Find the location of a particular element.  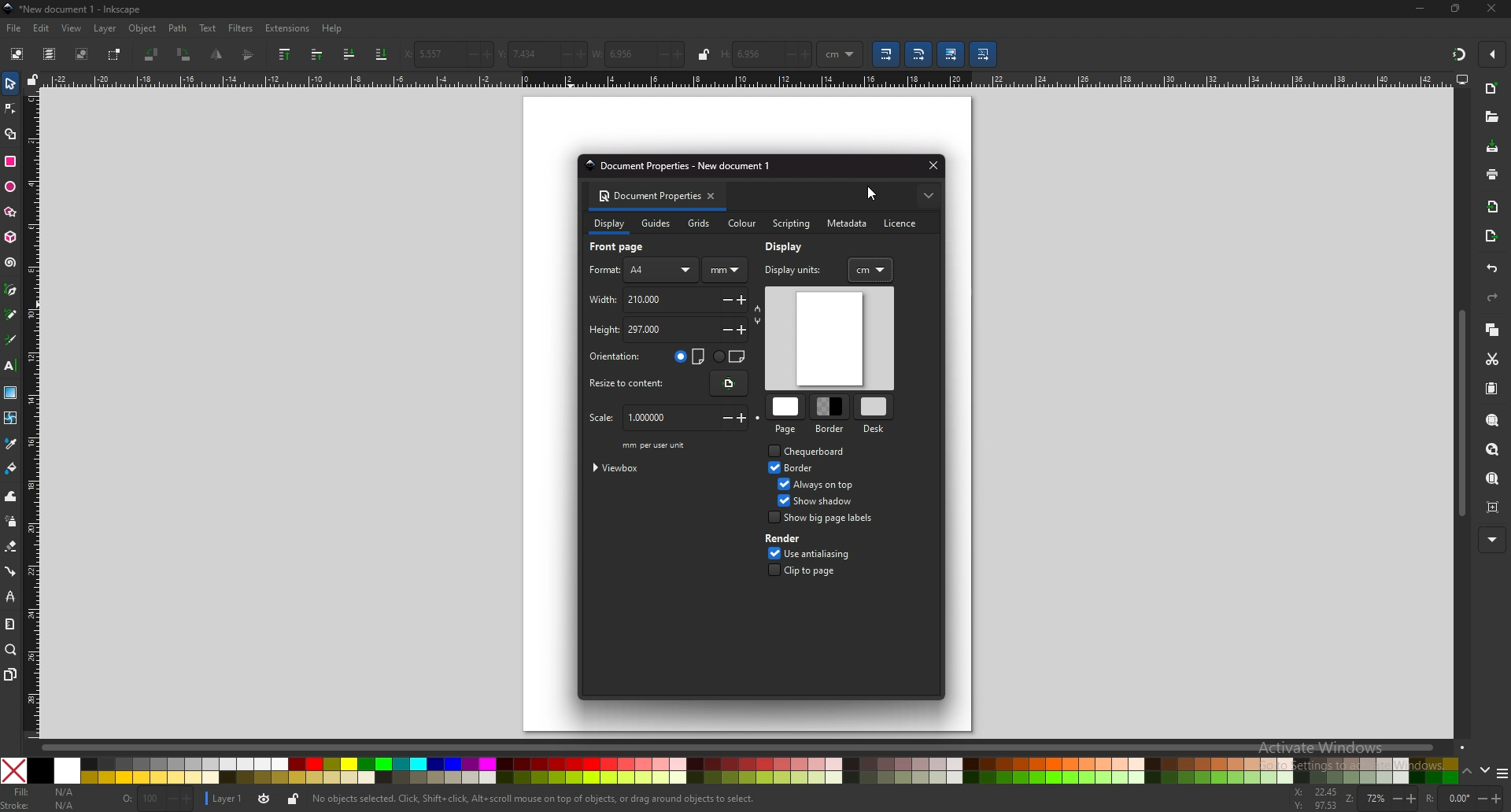

page preview is located at coordinates (829, 338).